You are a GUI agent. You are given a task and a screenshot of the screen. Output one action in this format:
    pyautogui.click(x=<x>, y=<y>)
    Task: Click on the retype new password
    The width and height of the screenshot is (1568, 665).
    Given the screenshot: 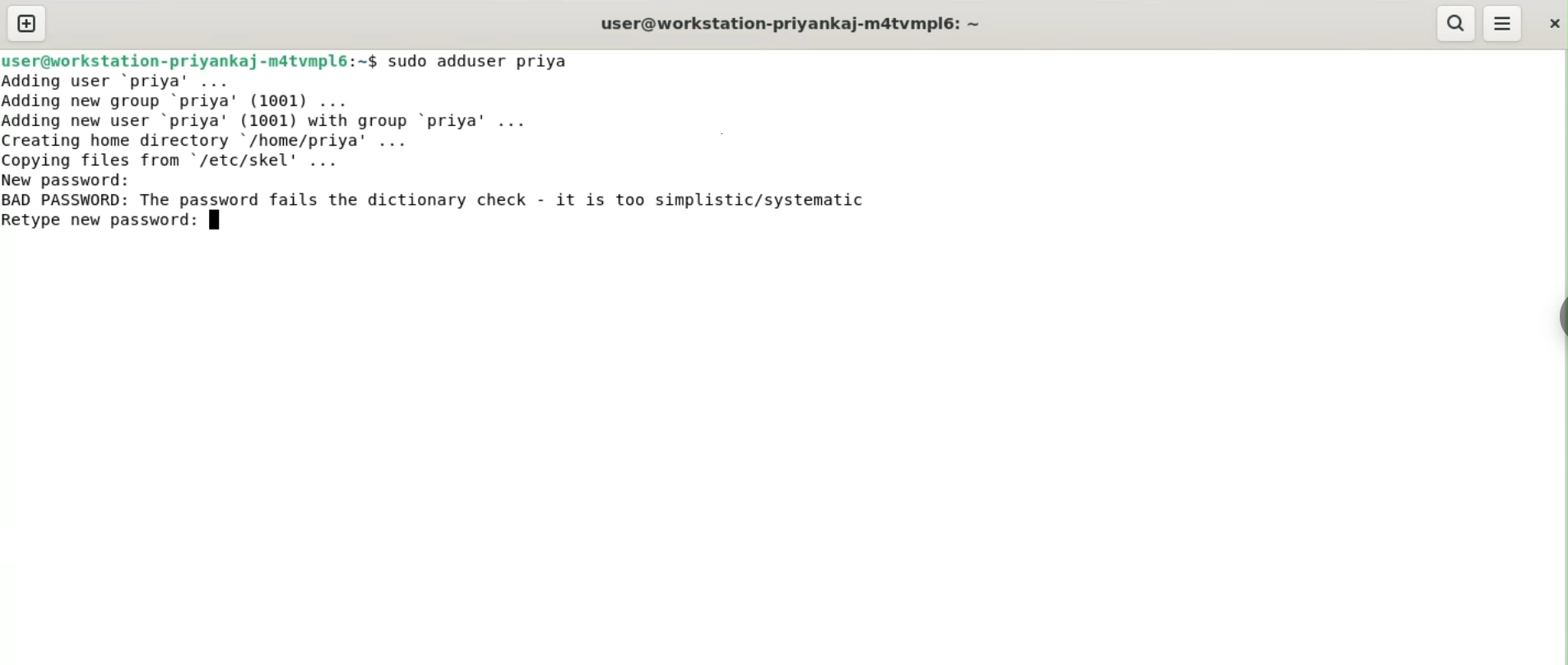 What is the action you would take?
    pyautogui.click(x=114, y=224)
    